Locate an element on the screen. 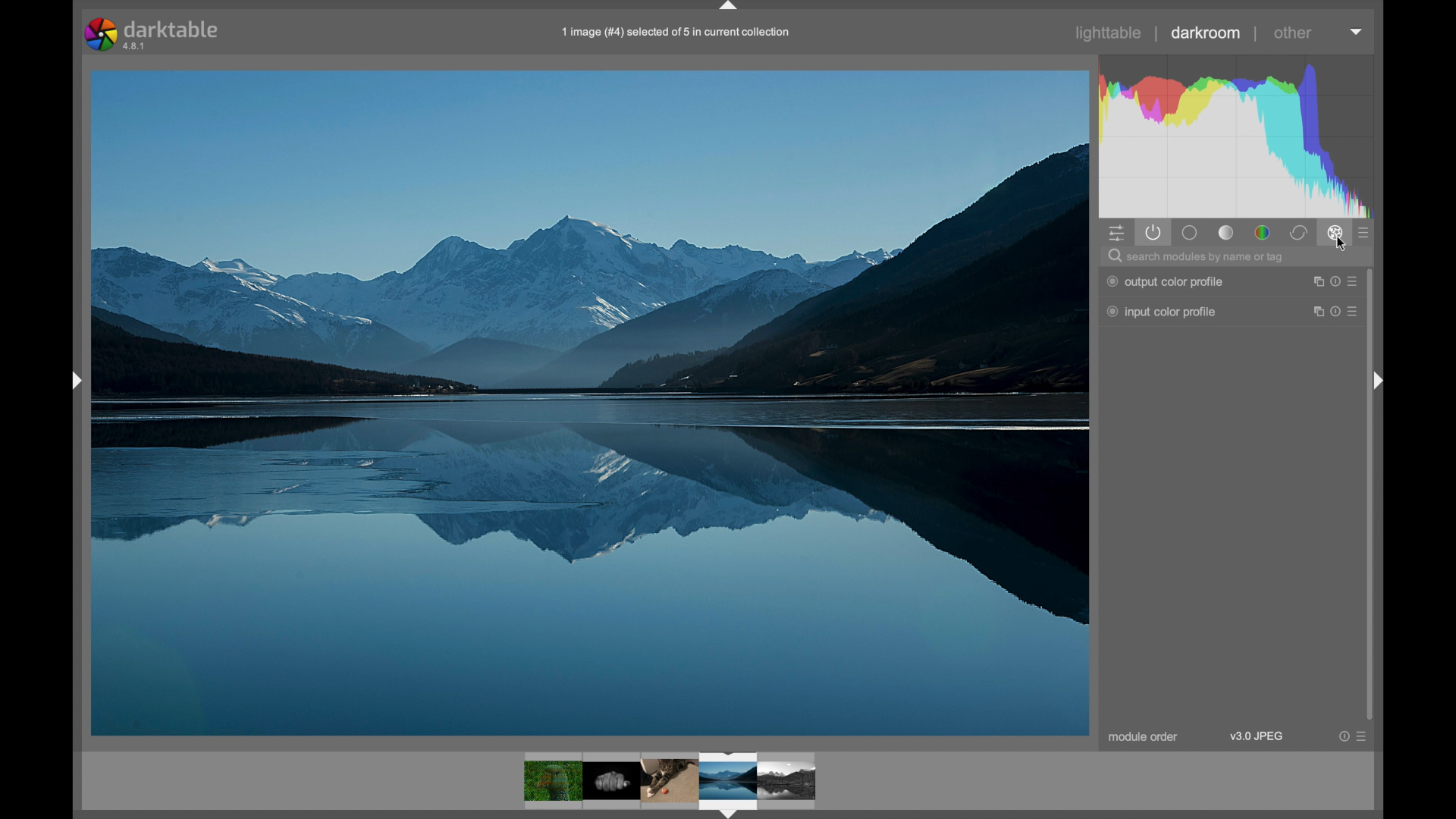 The width and height of the screenshot is (1456, 819). more options is located at coordinates (1354, 313).